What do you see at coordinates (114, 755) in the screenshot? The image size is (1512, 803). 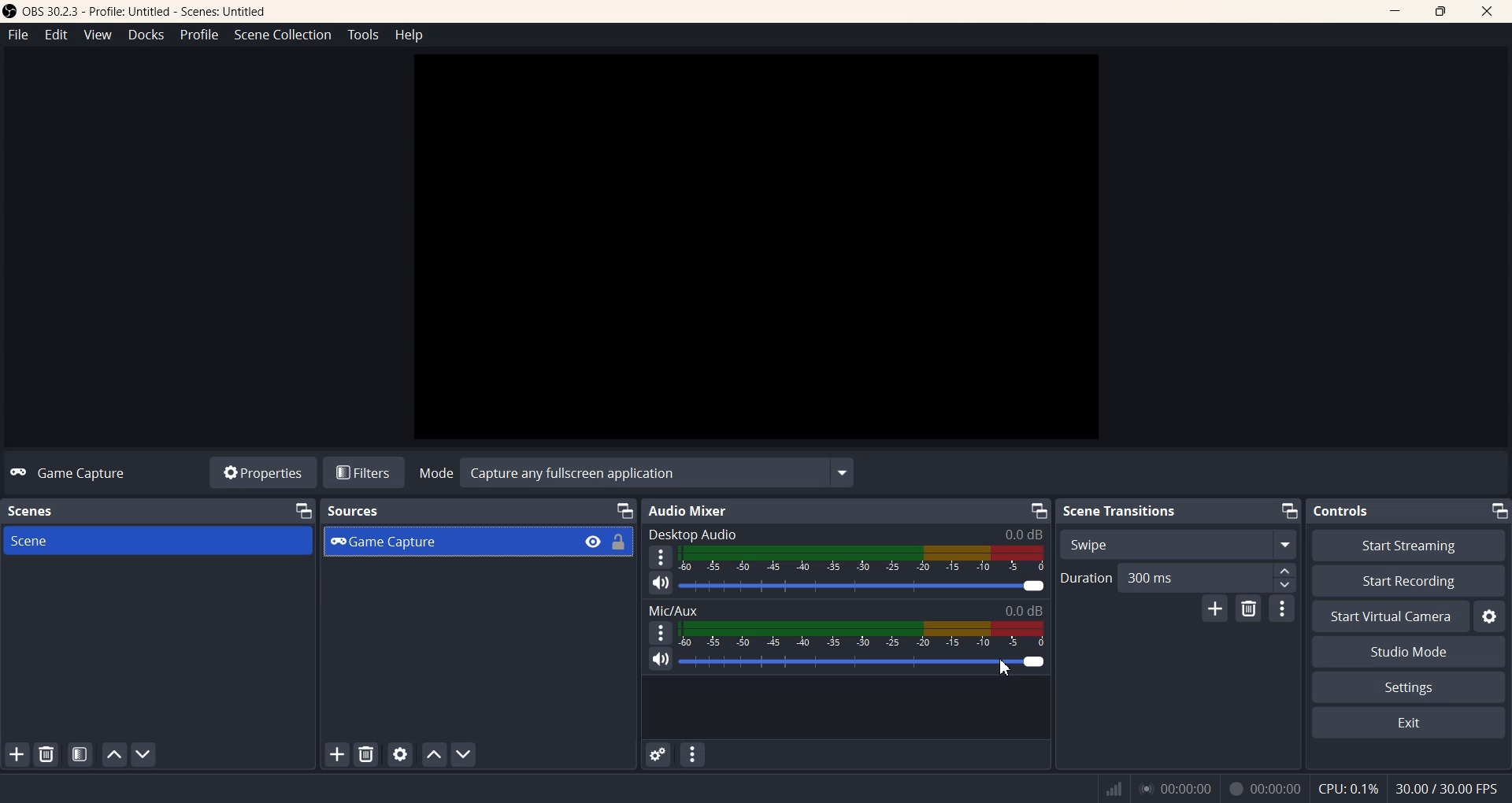 I see `Move Scene Up` at bounding box center [114, 755].